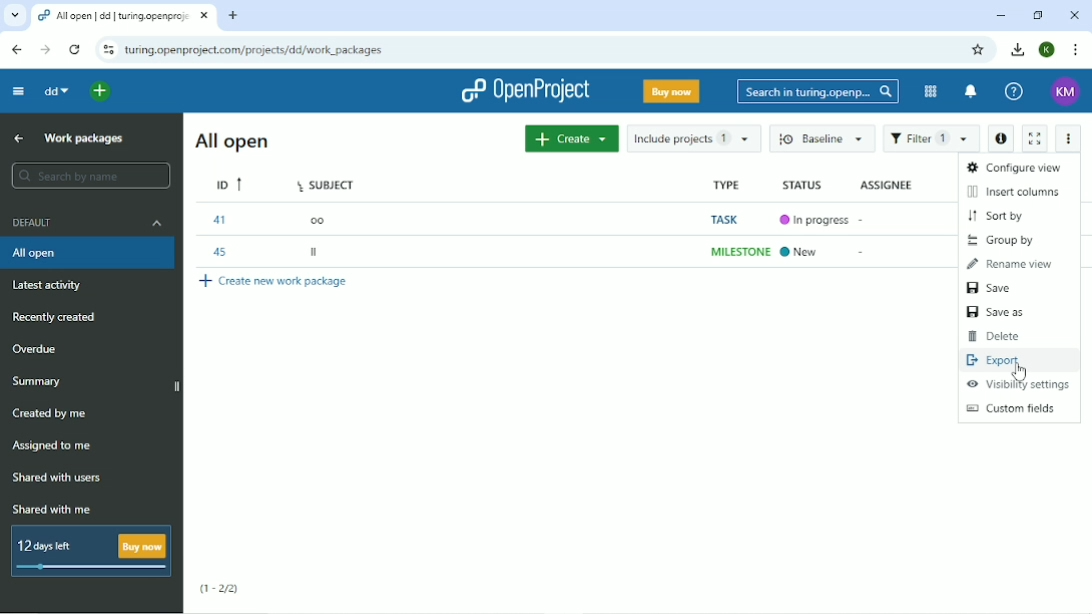  Describe the element at coordinates (1068, 140) in the screenshot. I see `More actions` at that location.